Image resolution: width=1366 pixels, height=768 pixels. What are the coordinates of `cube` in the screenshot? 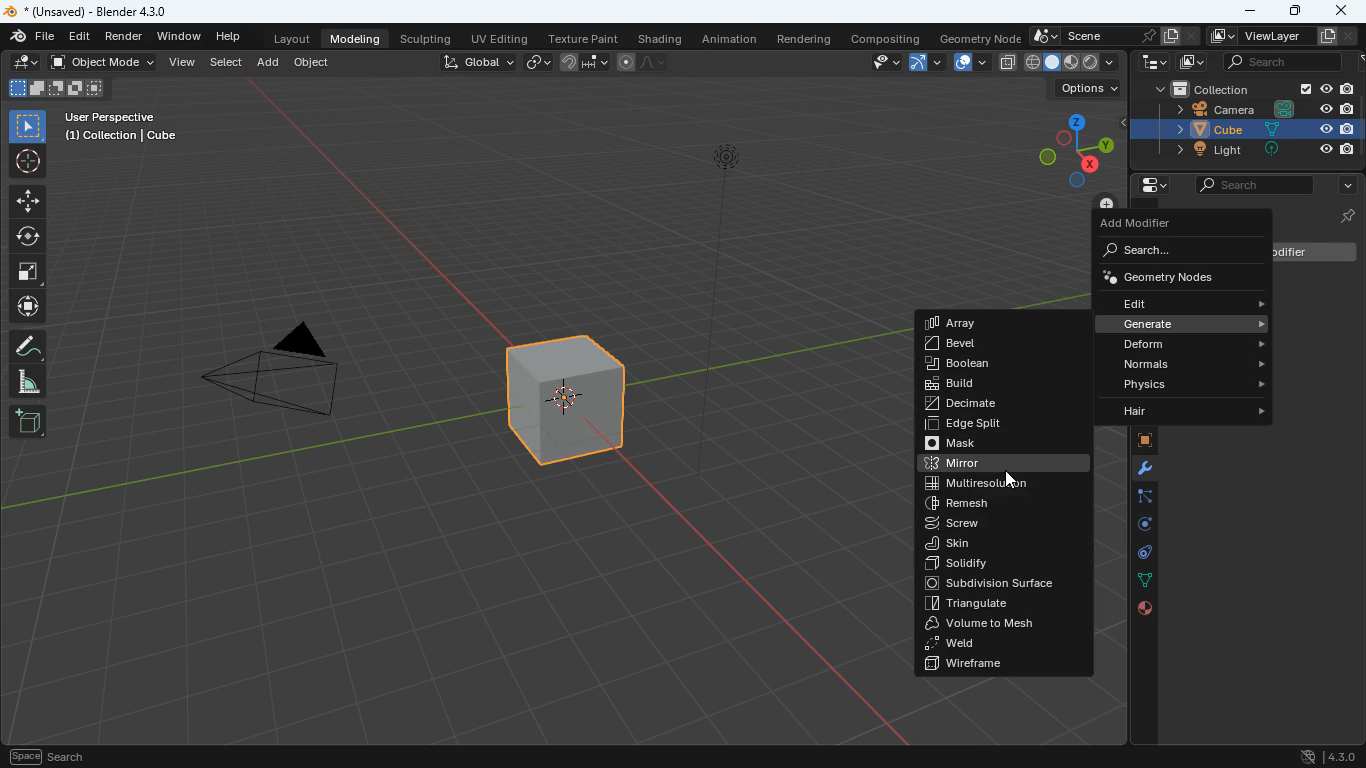 It's located at (1135, 441).